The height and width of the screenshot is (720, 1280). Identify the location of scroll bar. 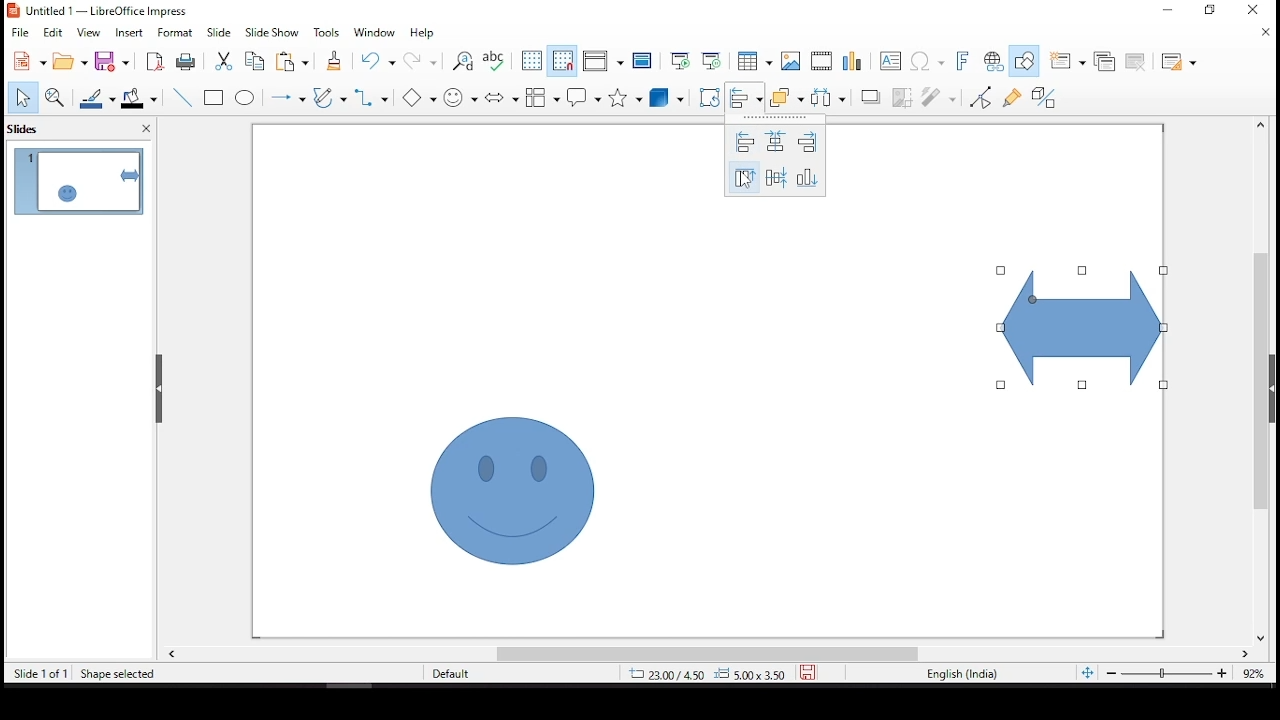
(707, 654).